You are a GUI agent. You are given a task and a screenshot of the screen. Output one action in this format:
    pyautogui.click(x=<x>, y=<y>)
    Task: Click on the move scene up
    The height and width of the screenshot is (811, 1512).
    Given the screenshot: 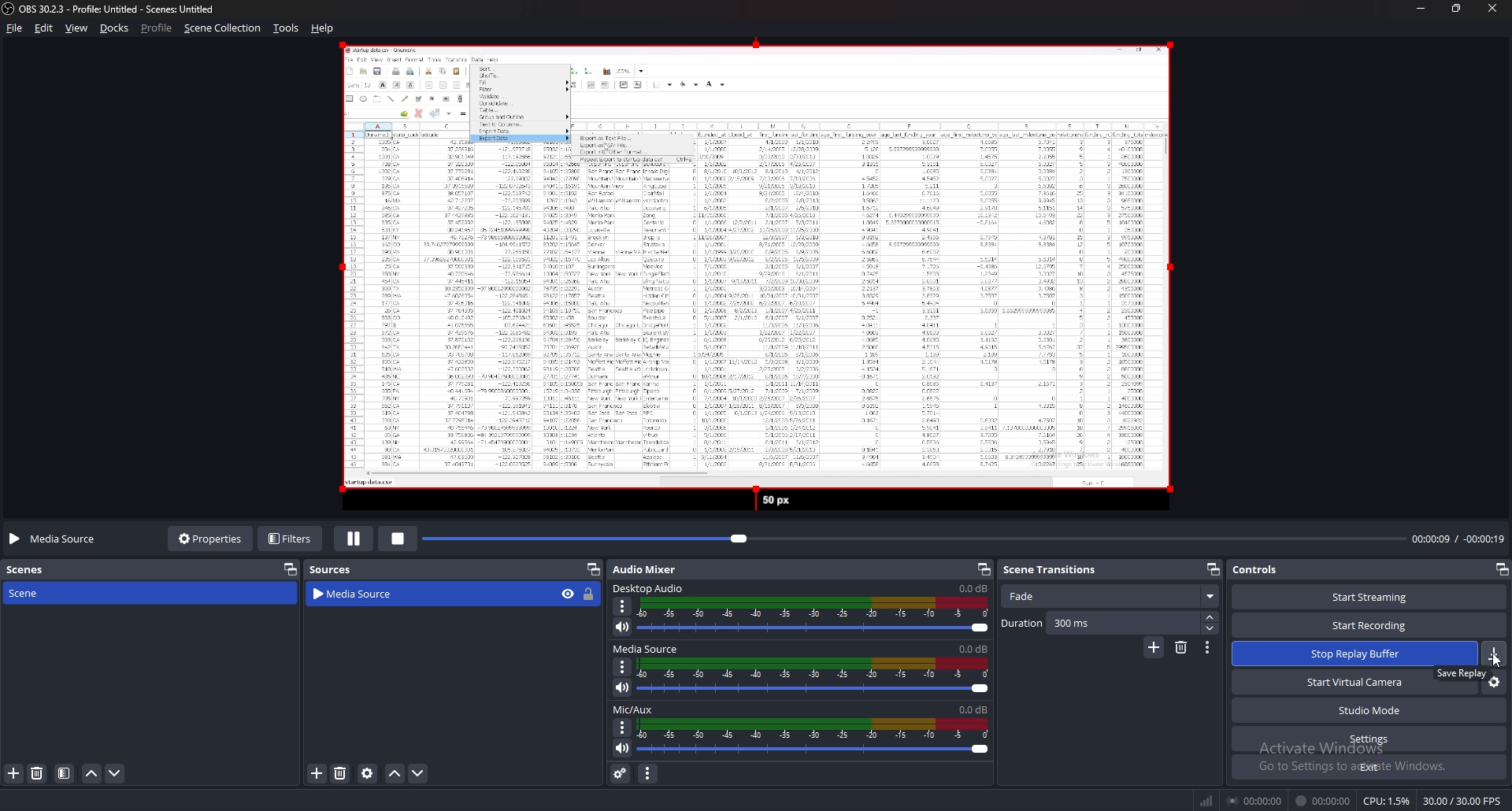 What is the action you would take?
    pyautogui.click(x=92, y=774)
    